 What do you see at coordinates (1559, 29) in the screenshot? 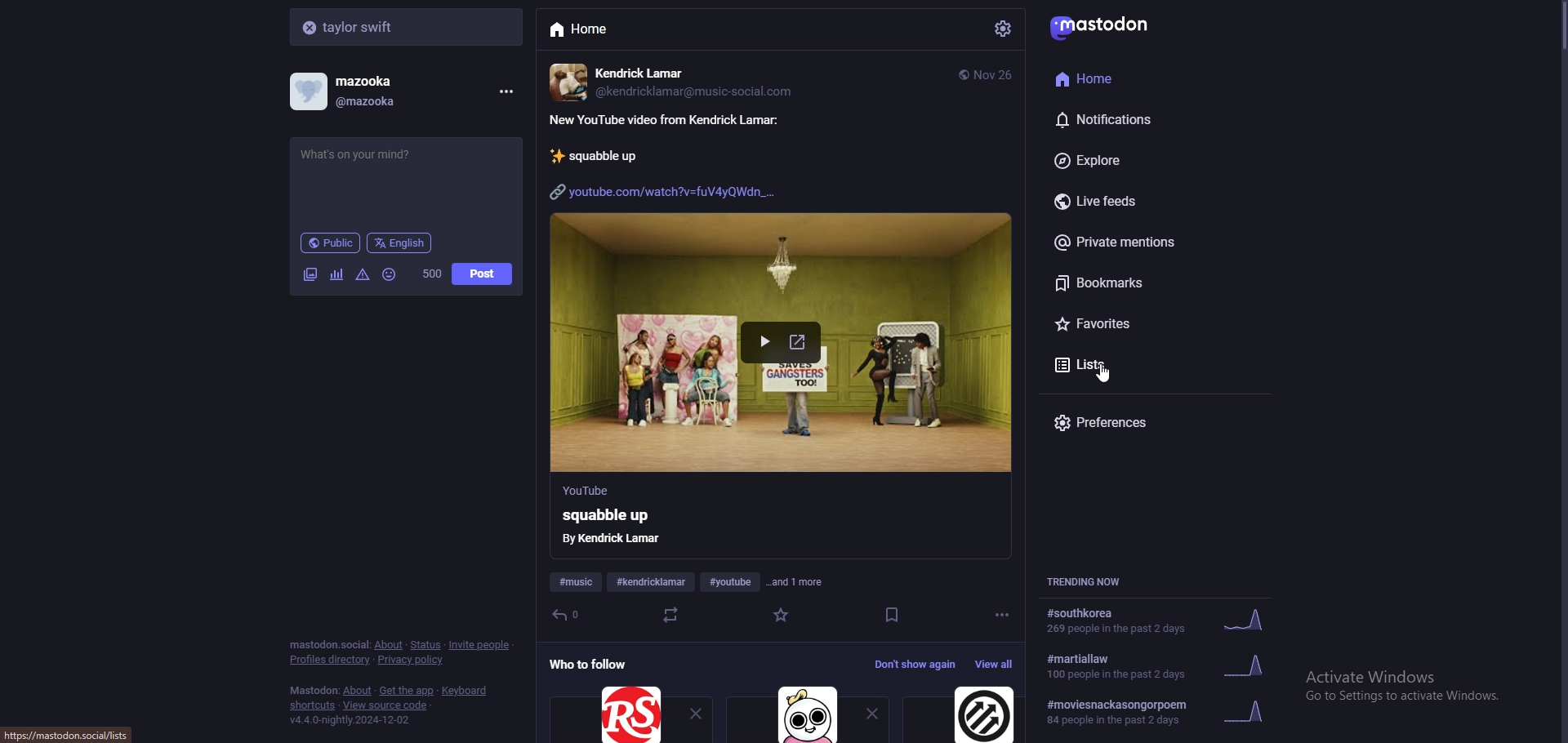
I see `scroll bar` at bounding box center [1559, 29].